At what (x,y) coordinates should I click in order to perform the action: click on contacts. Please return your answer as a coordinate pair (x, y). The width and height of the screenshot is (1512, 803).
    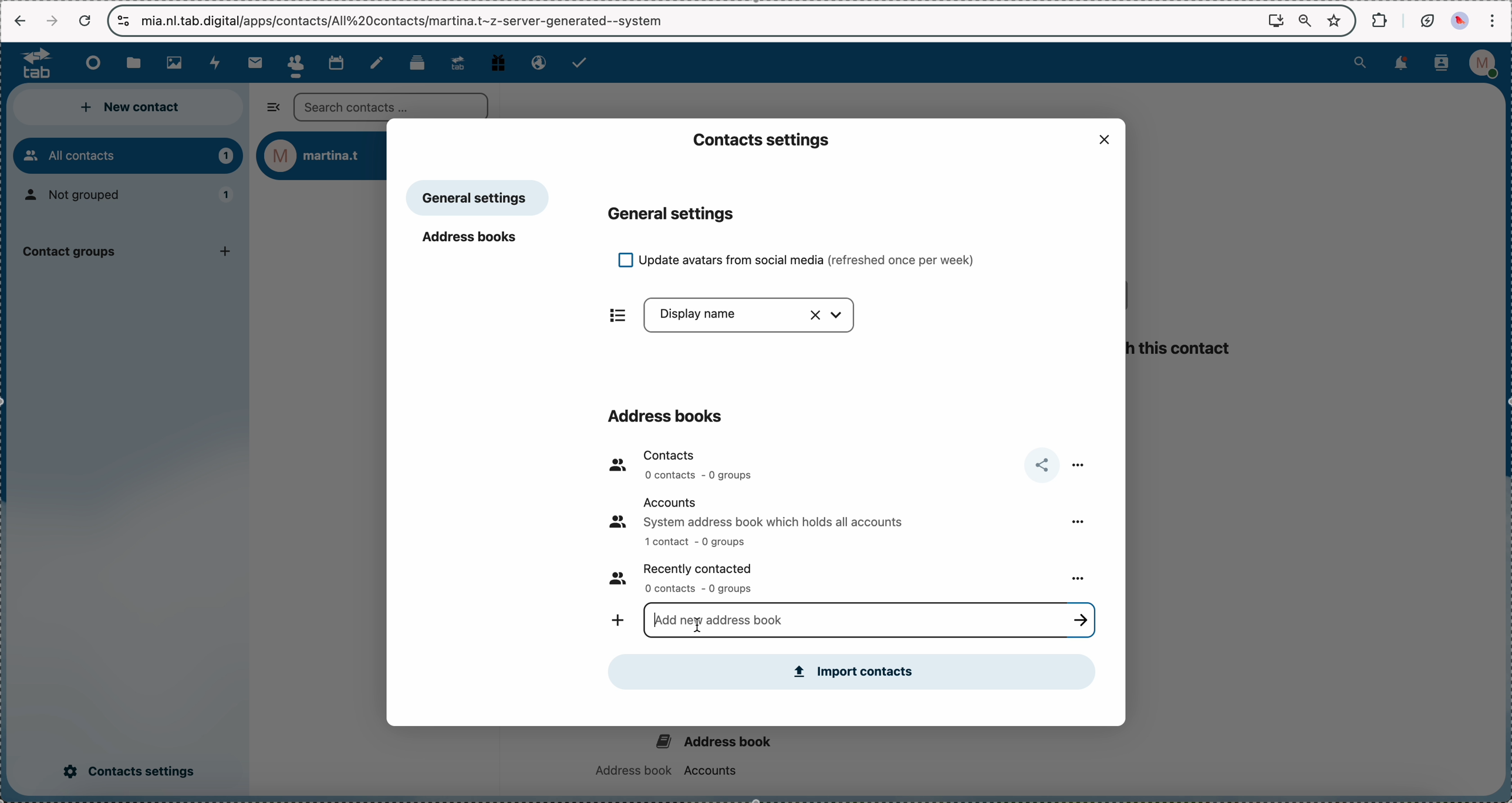
    Looking at the image, I should click on (1440, 64).